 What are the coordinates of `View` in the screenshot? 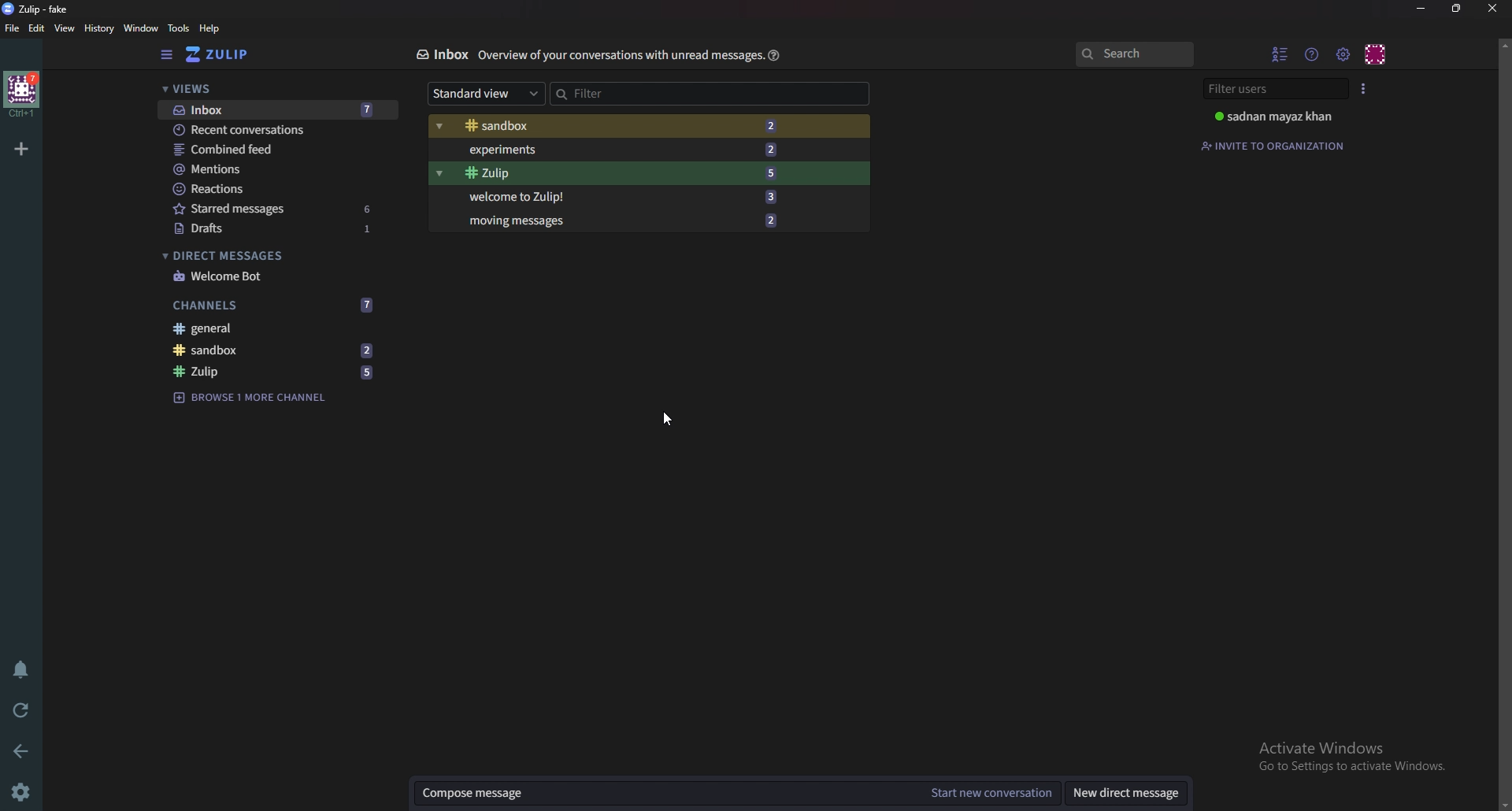 It's located at (65, 30).